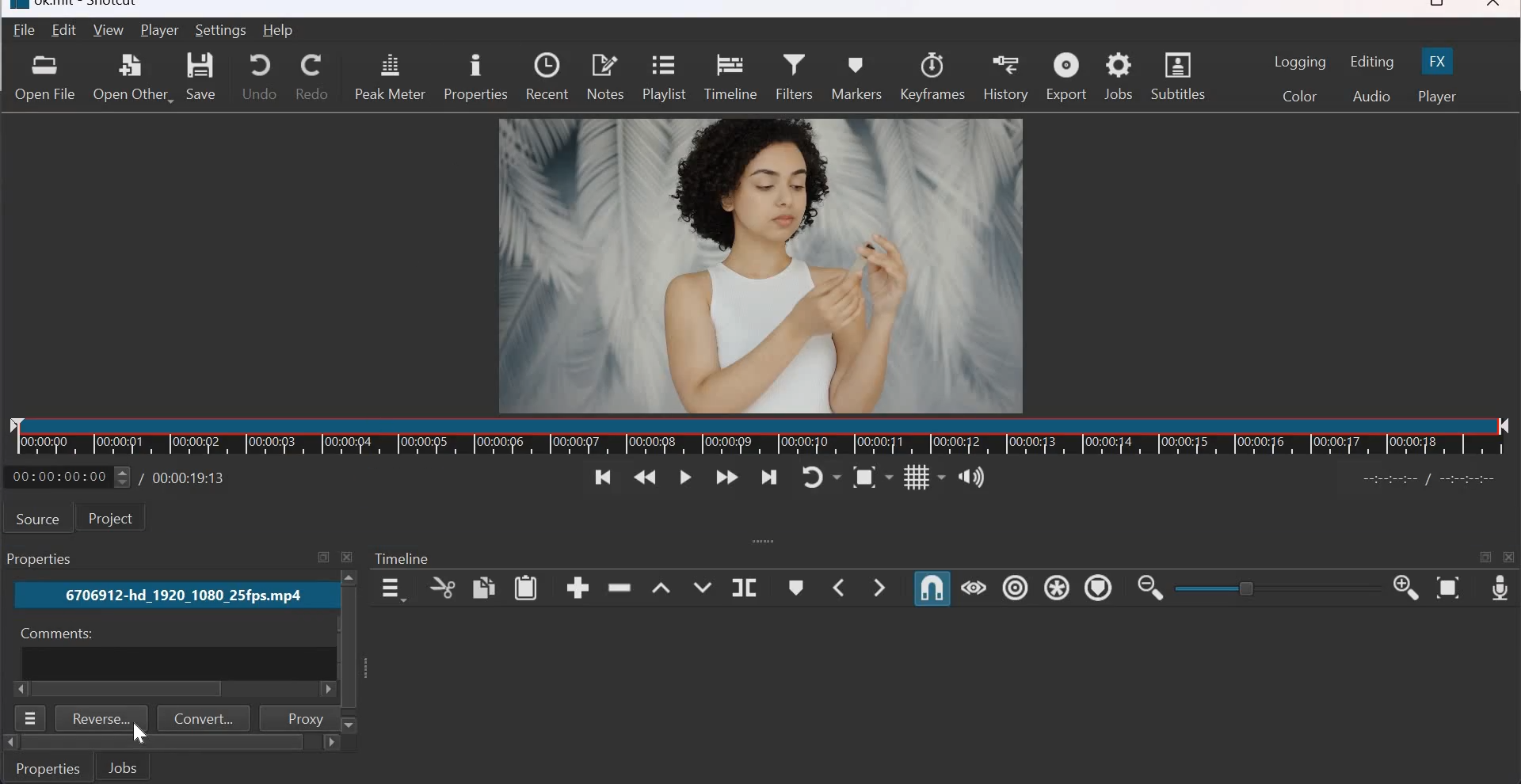  Describe the element at coordinates (116, 518) in the screenshot. I see `Project` at that location.